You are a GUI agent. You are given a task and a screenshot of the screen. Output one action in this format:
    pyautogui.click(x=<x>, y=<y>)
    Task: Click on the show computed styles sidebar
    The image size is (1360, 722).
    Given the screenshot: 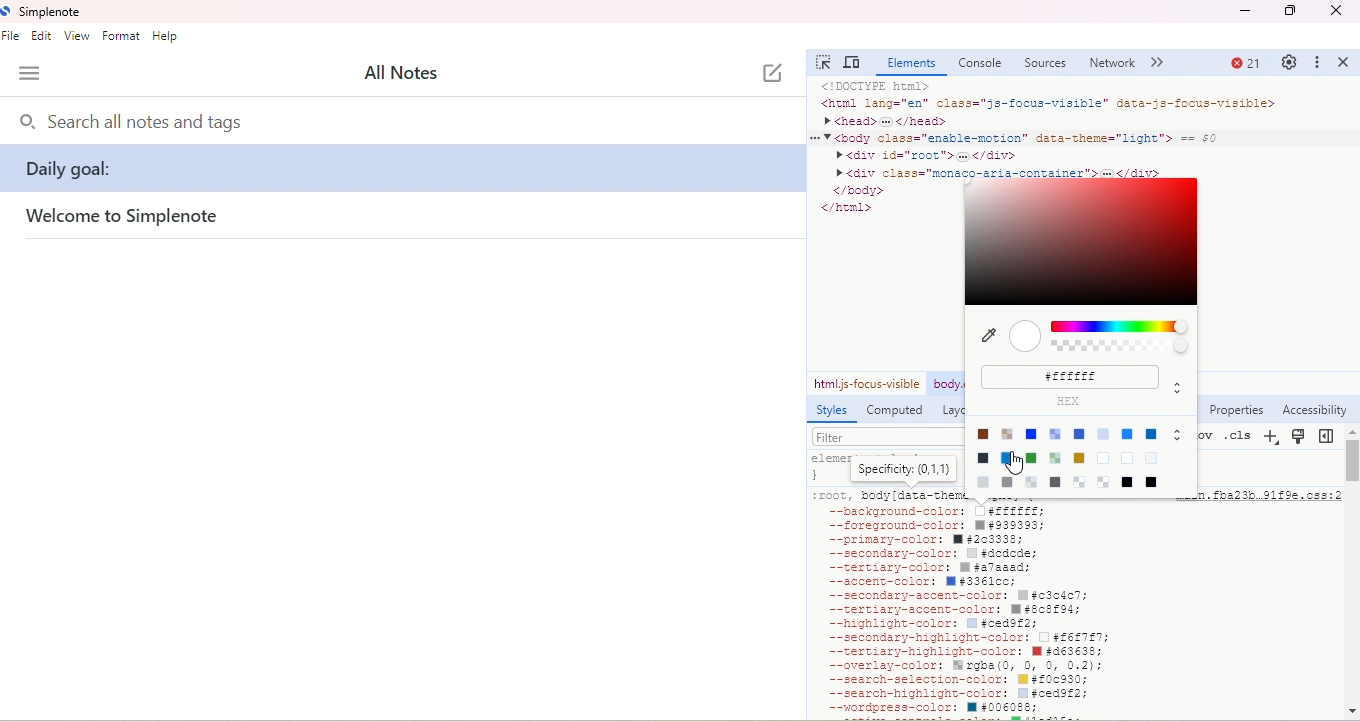 What is the action you would take?
    pyautogui.click(x=1328, y=436)
    